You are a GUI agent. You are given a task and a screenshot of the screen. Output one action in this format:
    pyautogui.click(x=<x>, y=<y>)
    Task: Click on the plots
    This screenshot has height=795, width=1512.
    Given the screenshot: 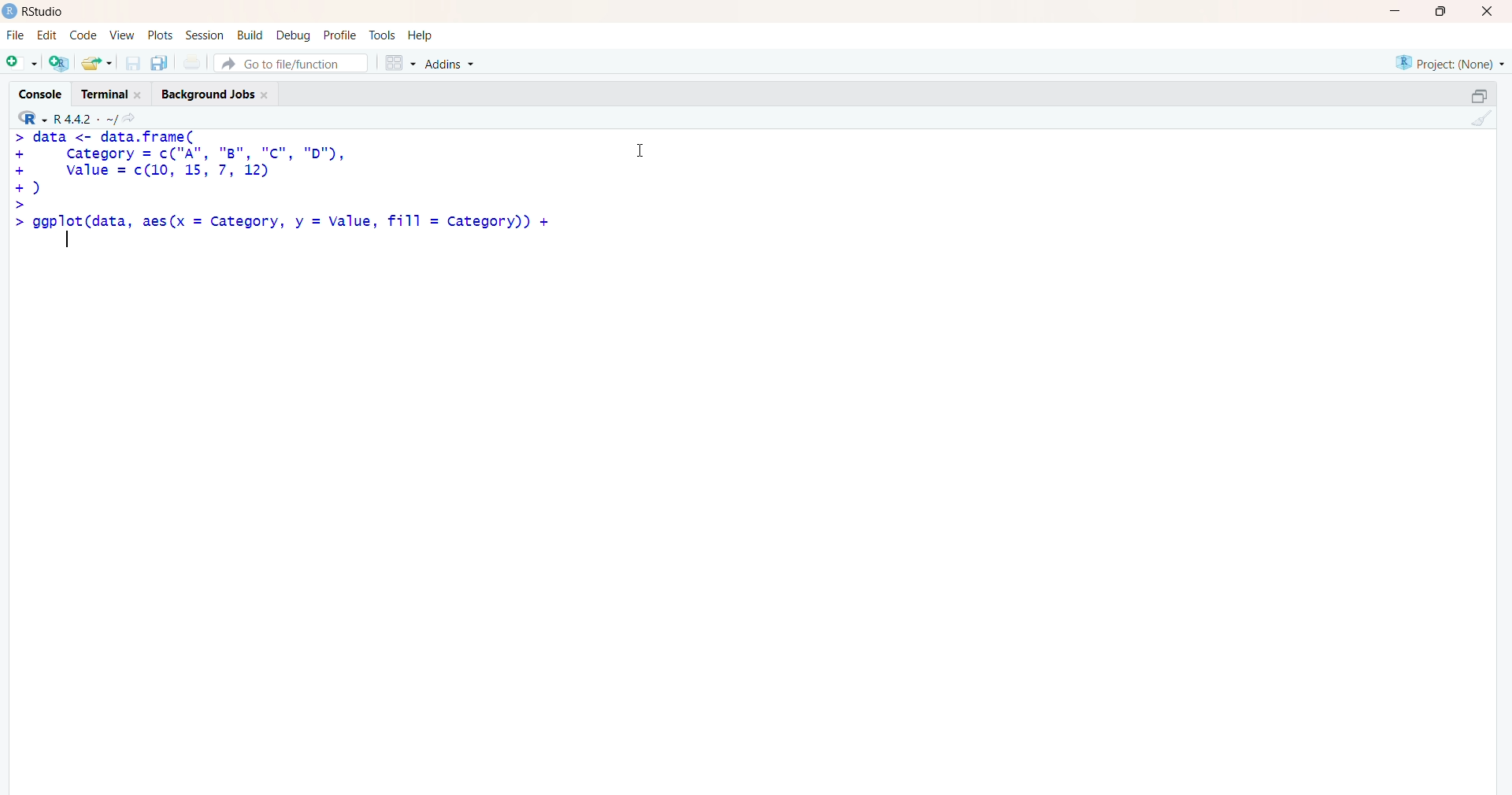 What is the action you would take?
    pyautogui.click(x=162, y=35)
    